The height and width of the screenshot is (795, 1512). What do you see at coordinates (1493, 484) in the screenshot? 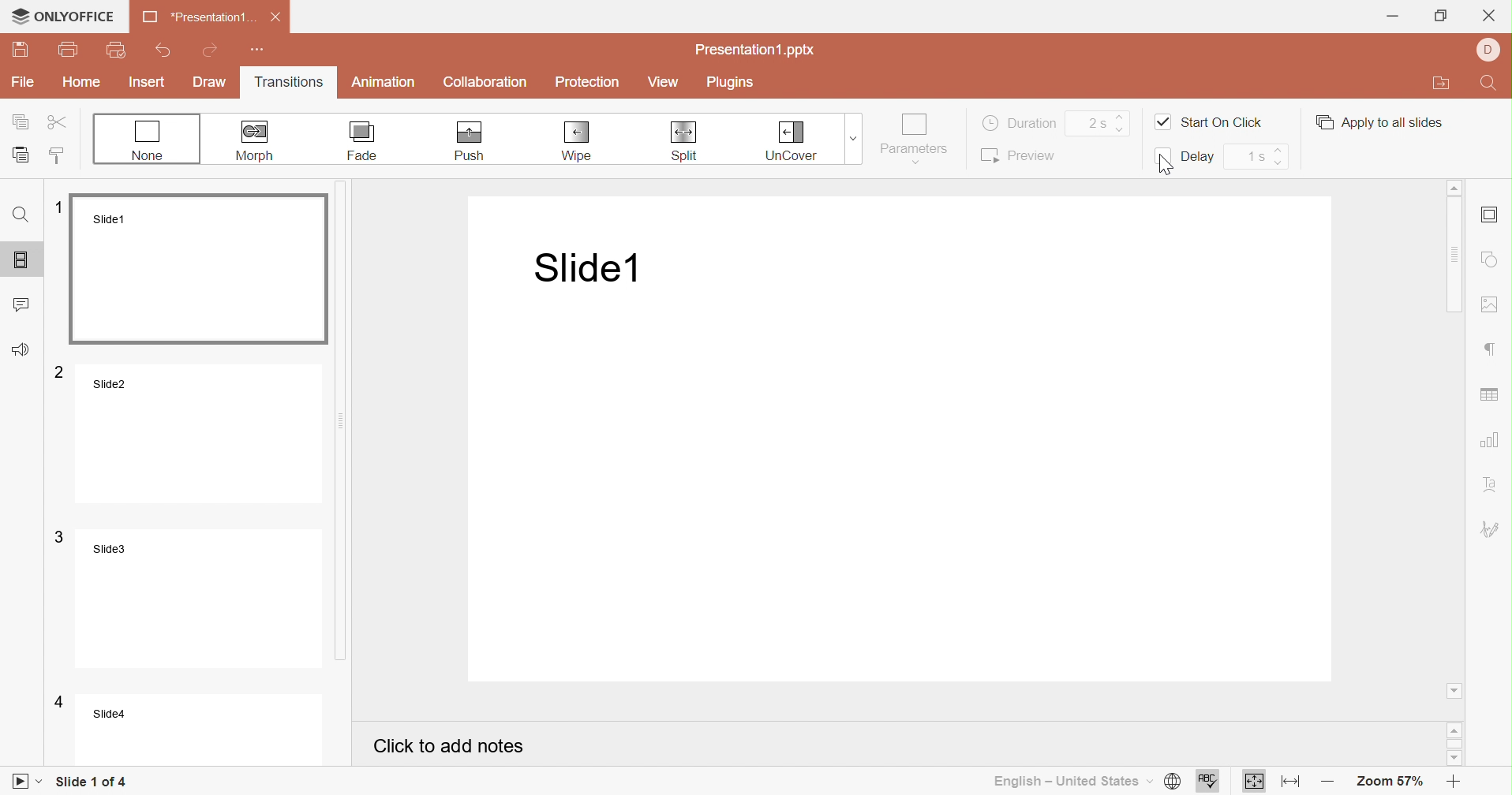
I see `Text art settings` at bounding box center [1493, 484].